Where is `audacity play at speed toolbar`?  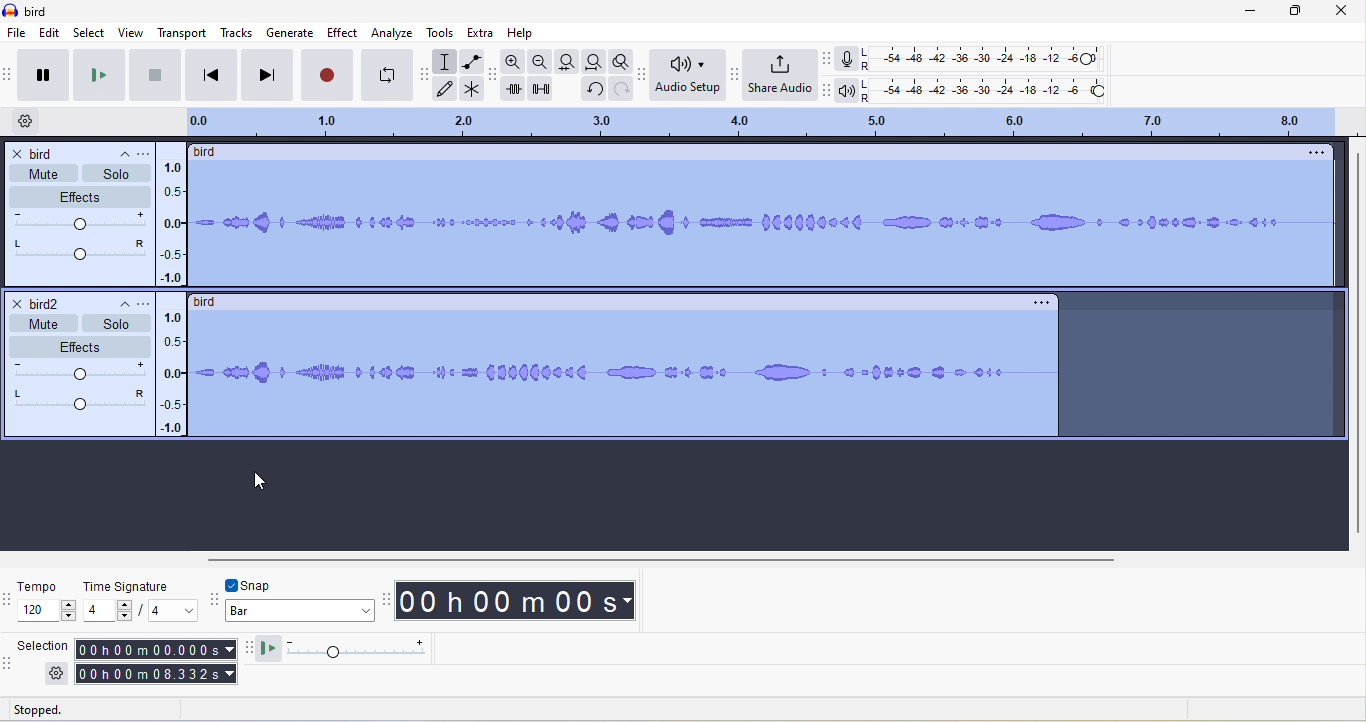 audacity play at speed toolbar is located at coordinates (249, 649).